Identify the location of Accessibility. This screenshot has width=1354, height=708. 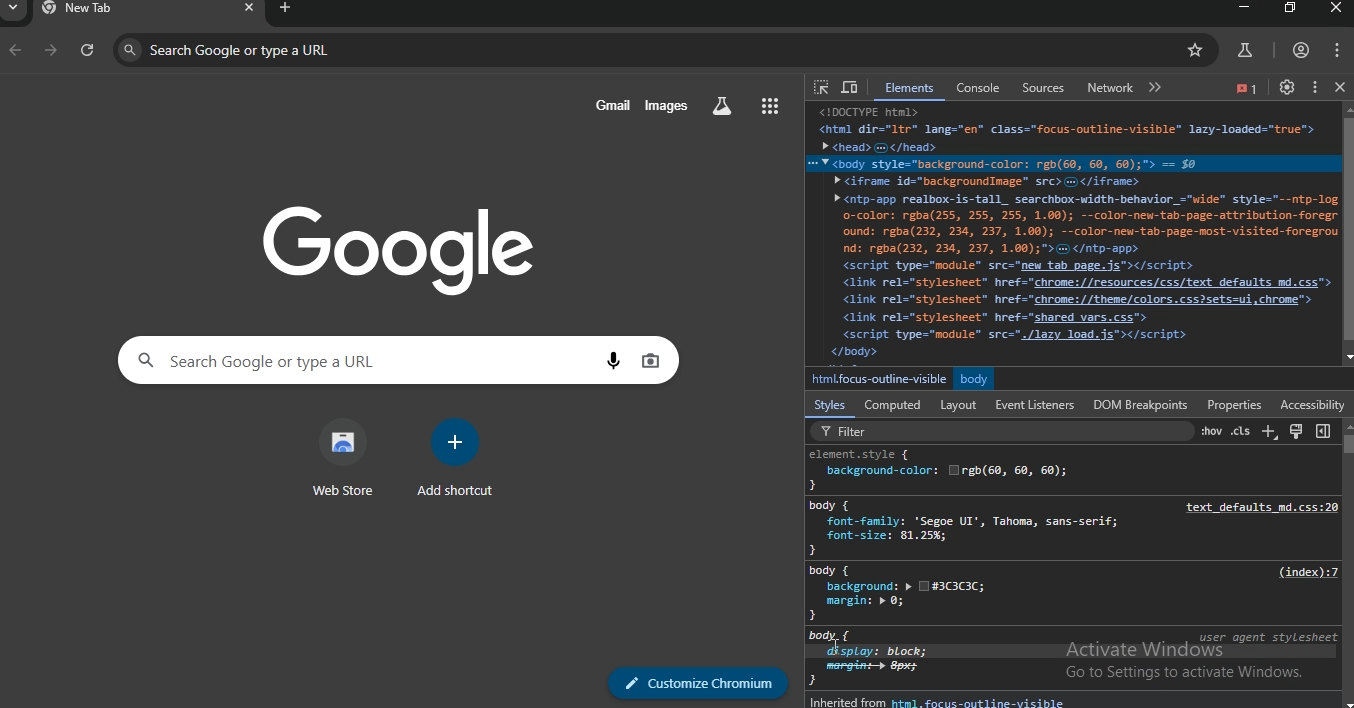
(1314, 404).